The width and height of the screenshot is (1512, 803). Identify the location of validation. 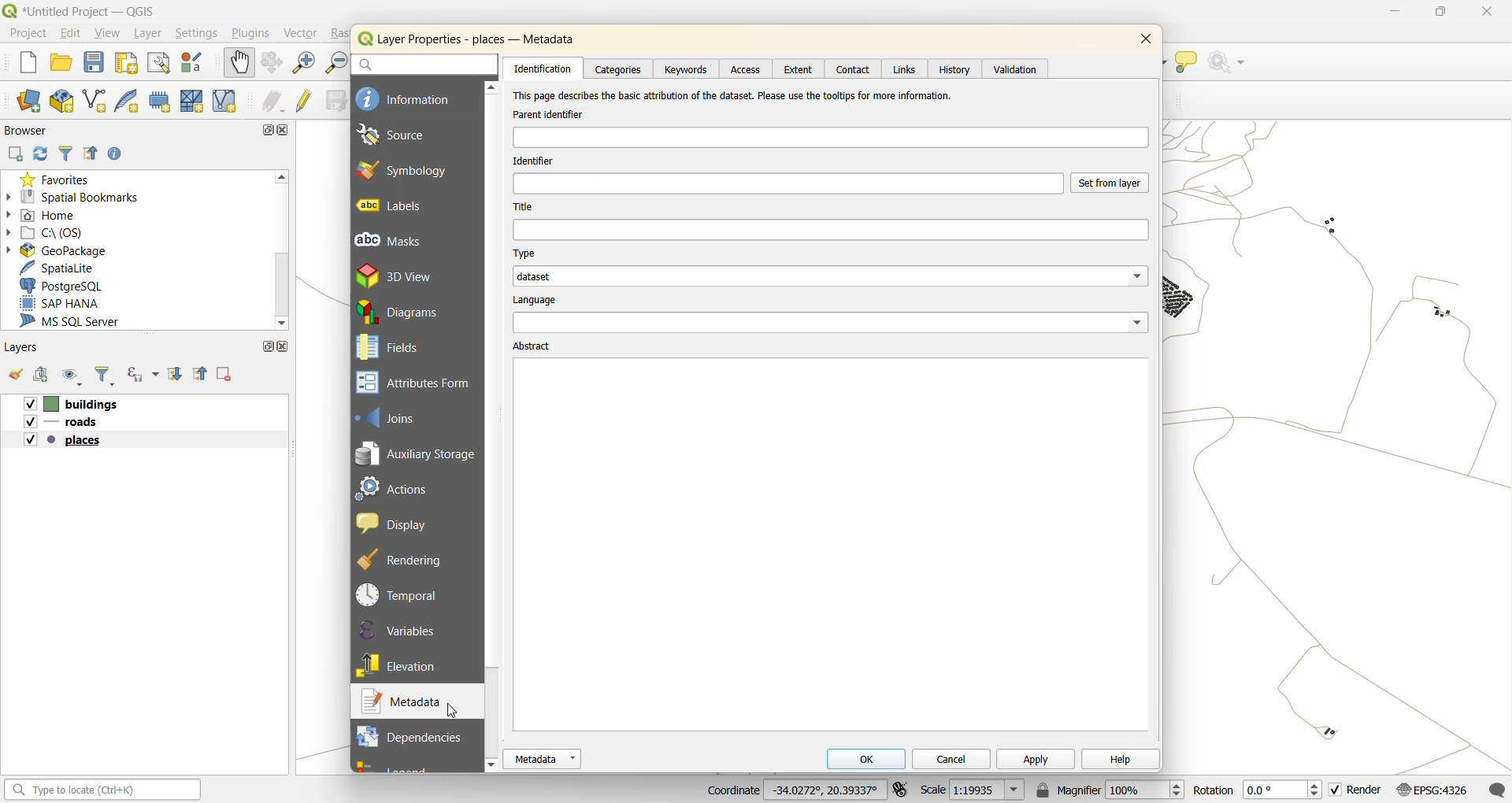
(1010, 70).